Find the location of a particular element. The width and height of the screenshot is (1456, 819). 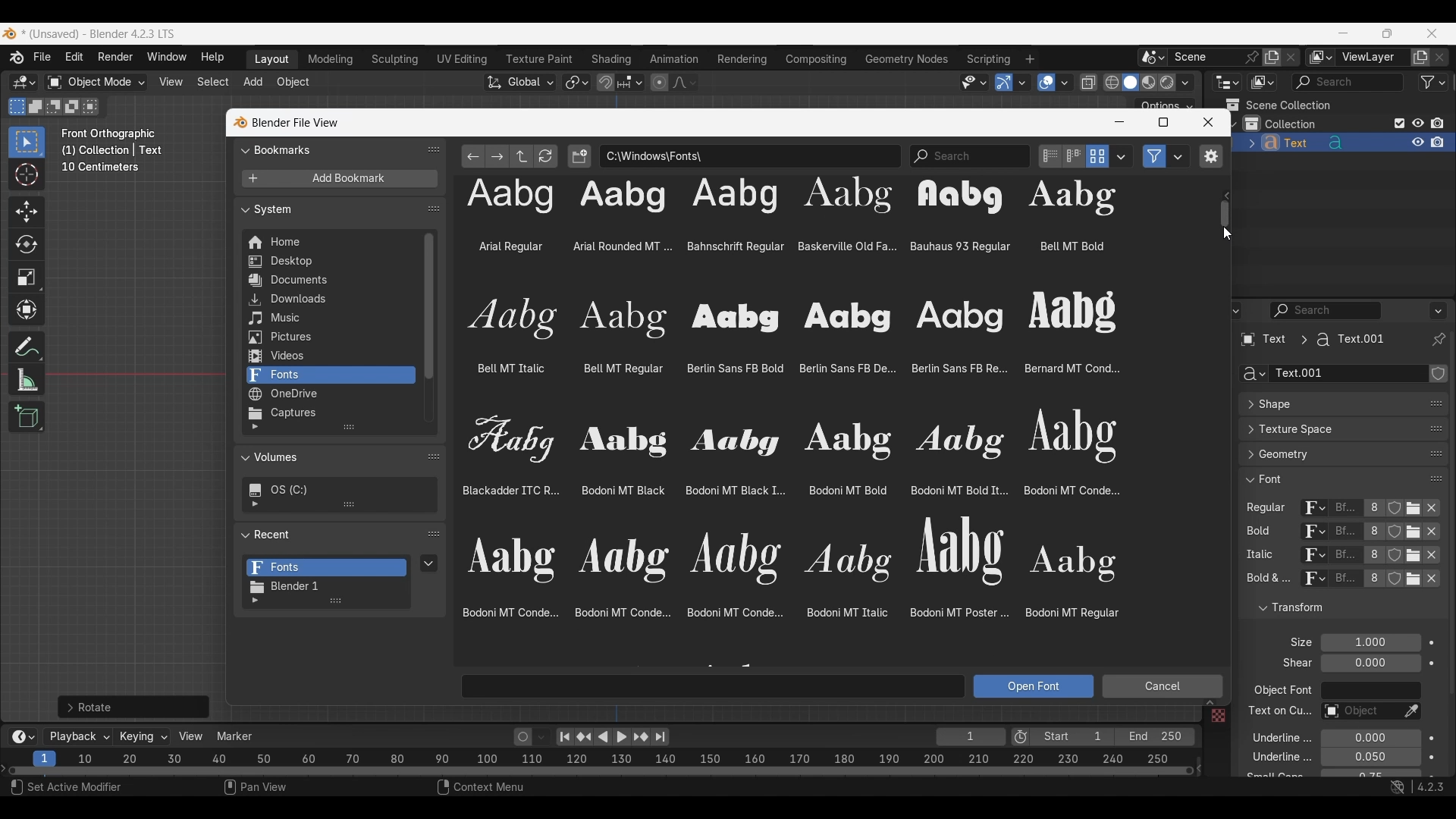

Overlays is located at coordinates (1064, 83).